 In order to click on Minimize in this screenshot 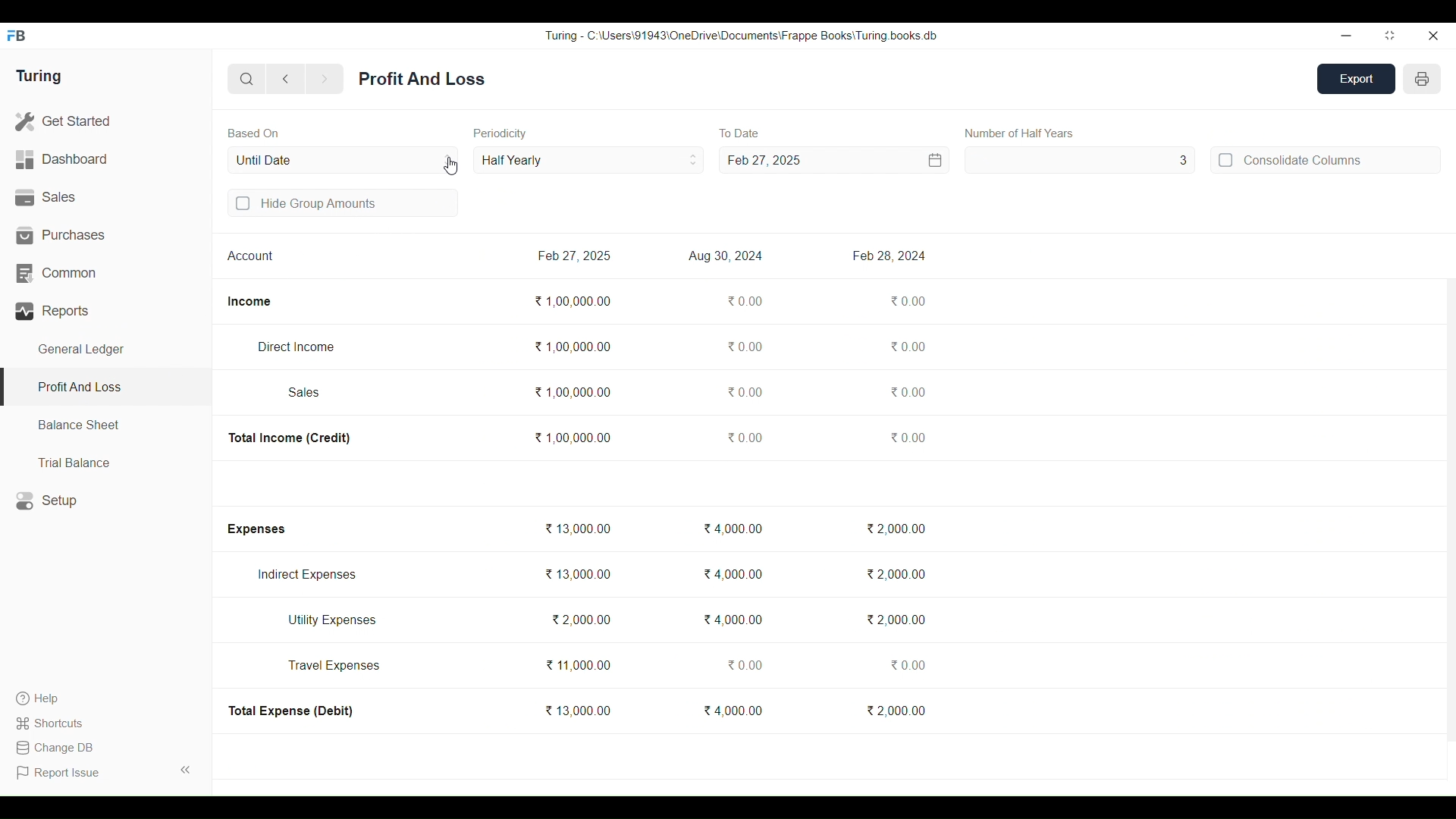, I will do `click(1346, 36)`.